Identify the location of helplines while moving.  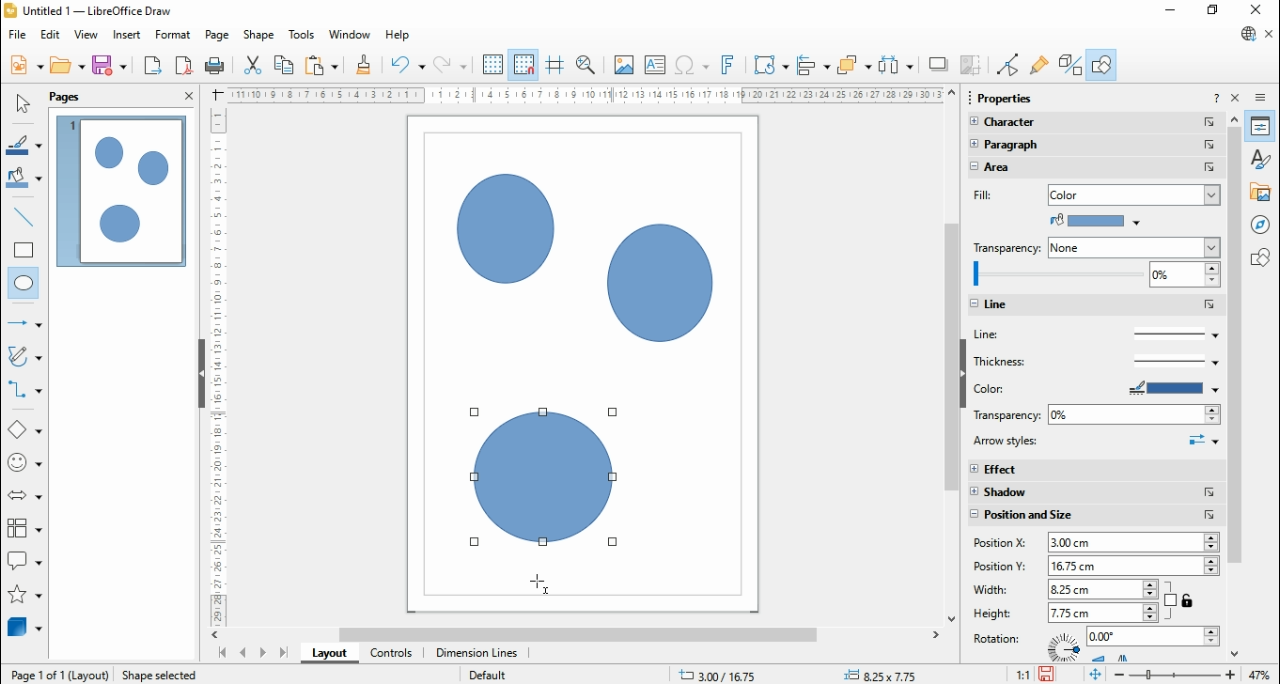
(555, 65).